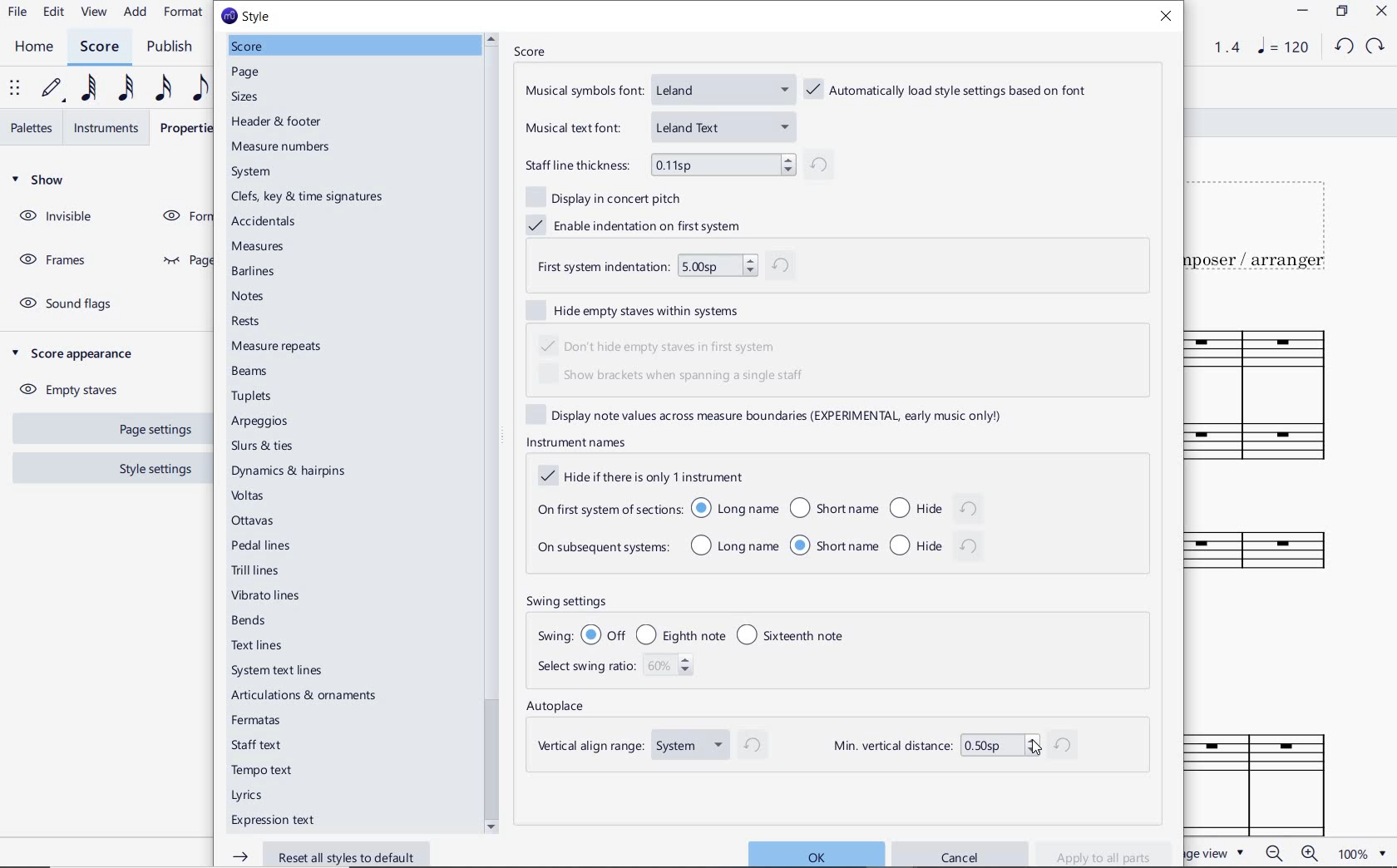 The image size is (1397, 868). What do you see at coordinates (33, 47) in the screenshot?
I see `HOME` at bounding box center [33, 47].